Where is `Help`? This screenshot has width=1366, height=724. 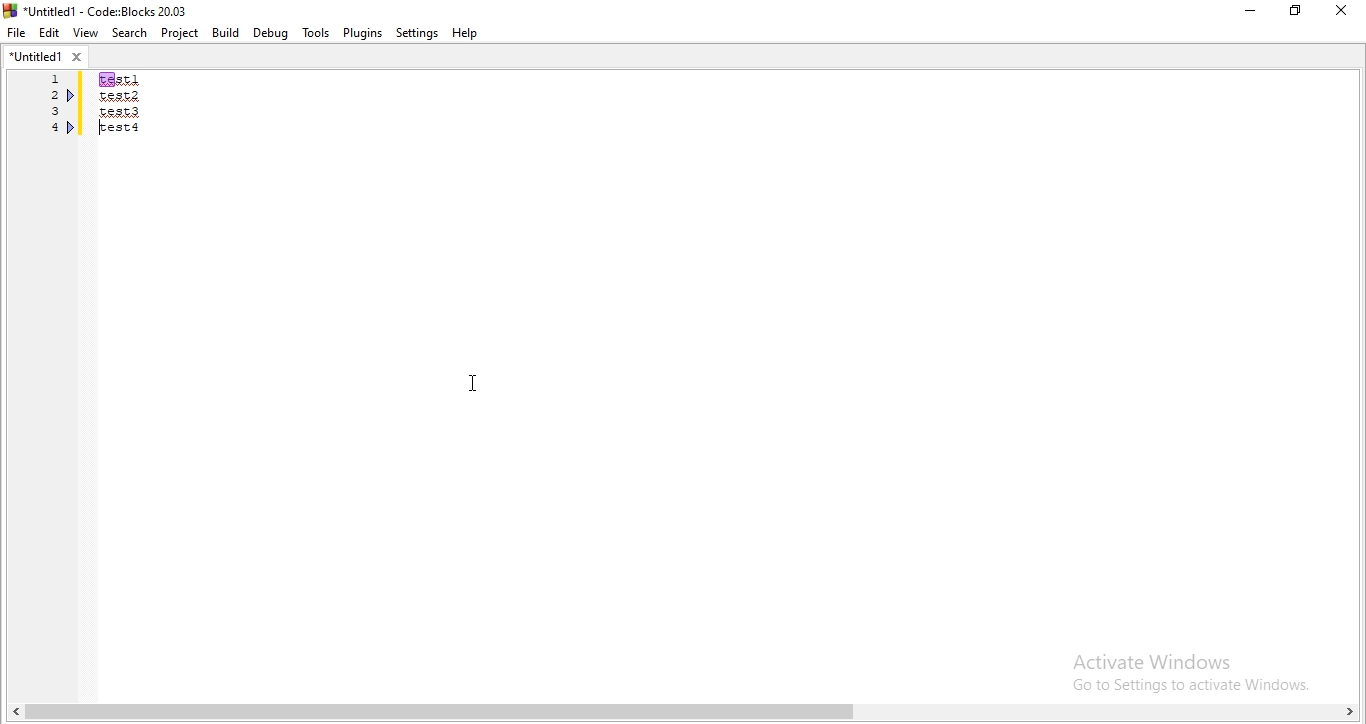
Help is located at coordinates (469, 35).